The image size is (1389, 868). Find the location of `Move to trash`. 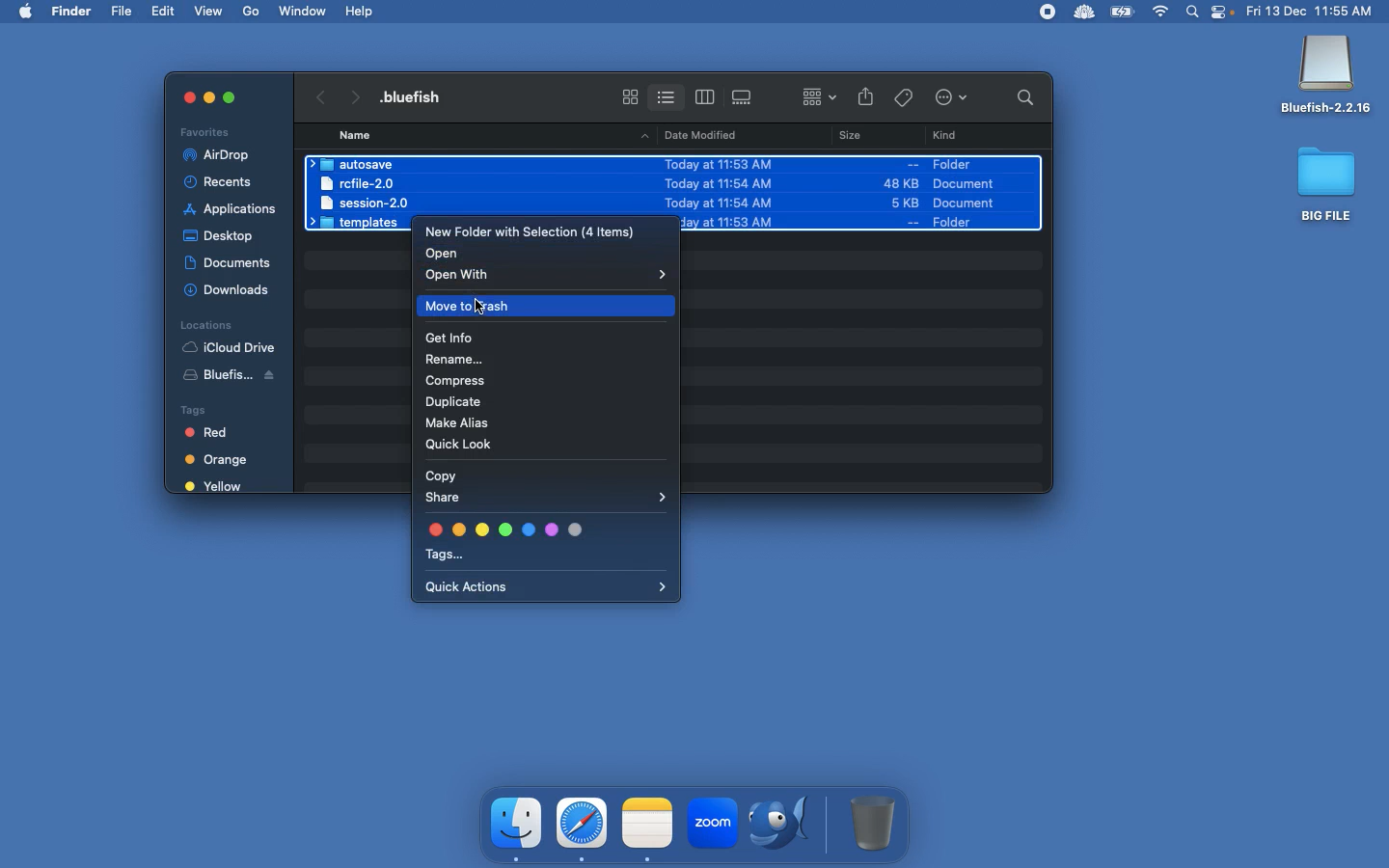

Move to trash is located at coordinates (549, 305).